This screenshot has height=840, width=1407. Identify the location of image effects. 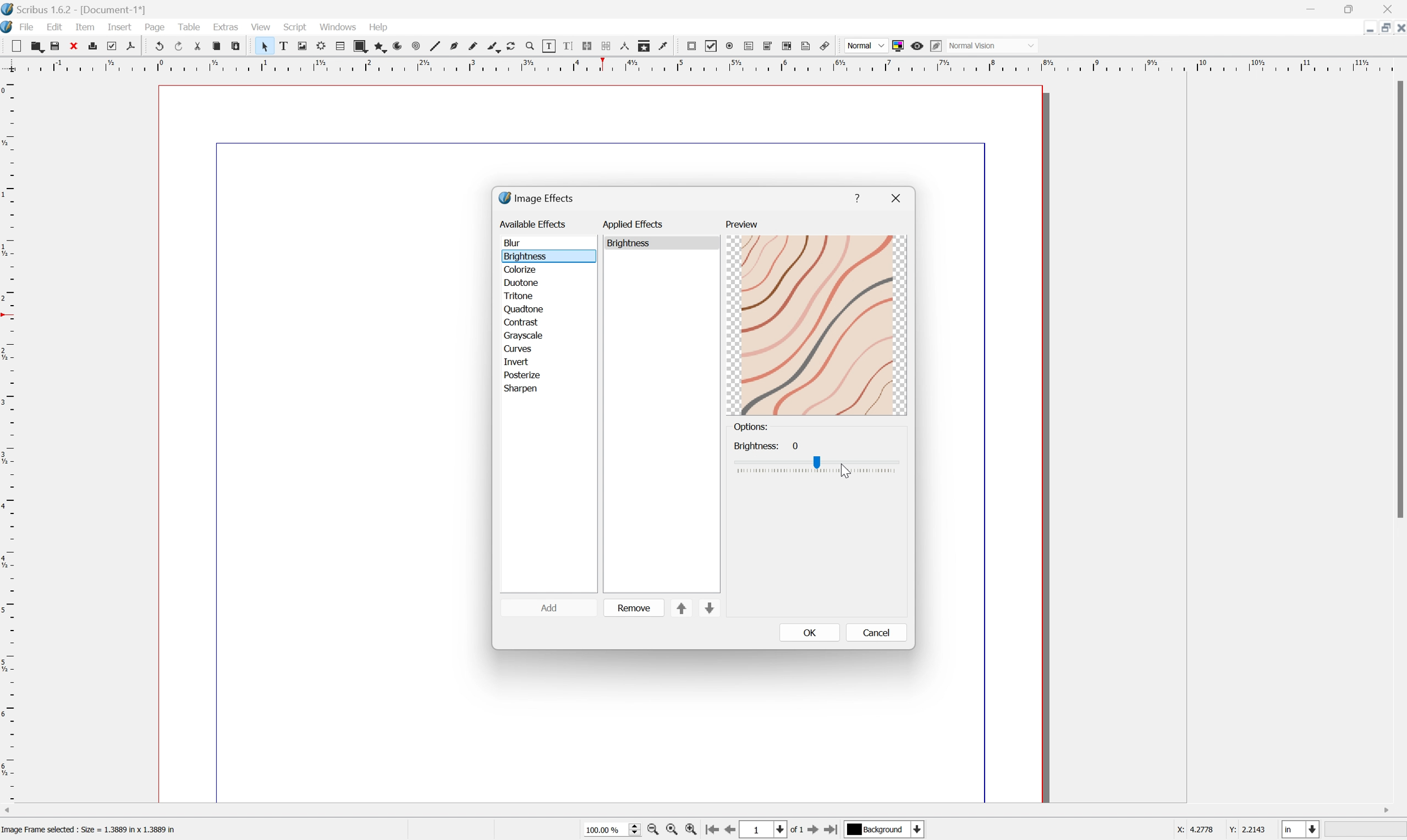
(537, 198).